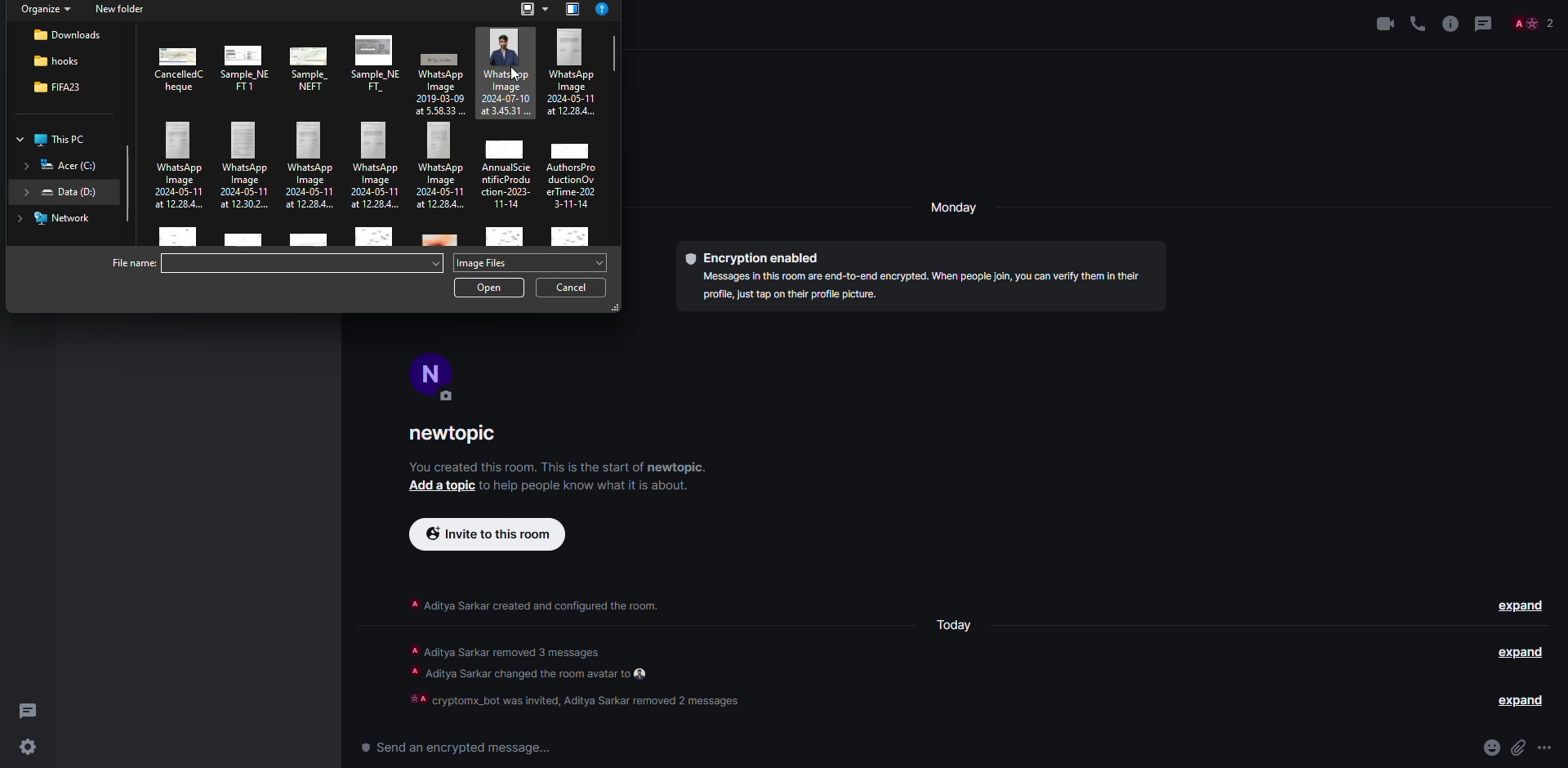 The height and width of the screenshot is (768, 1568). What do you see at coordinates (508, 171) in the screenshot?
I see `click to select` at bounding box center [508, 171].